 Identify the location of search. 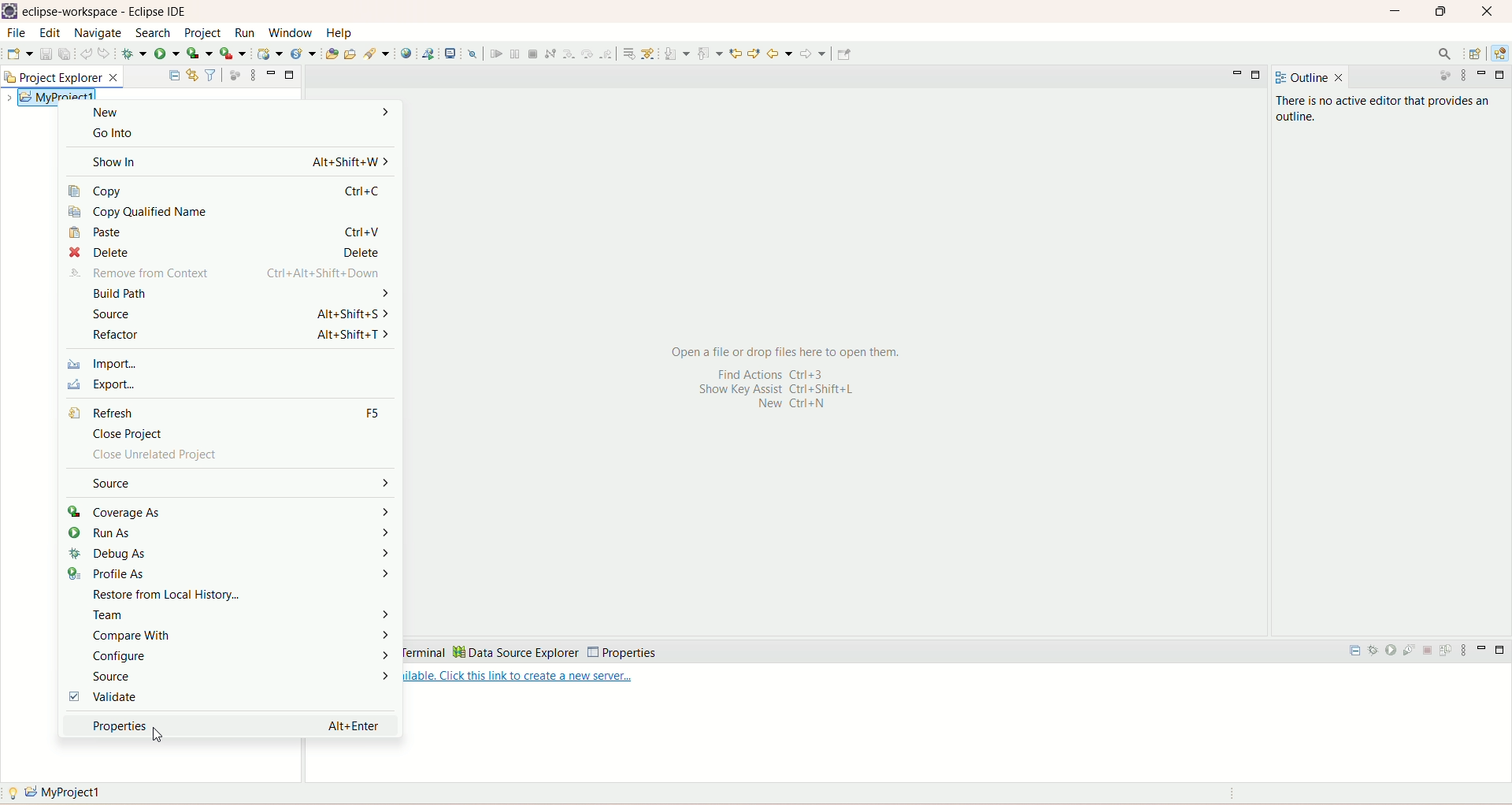
(1443, 53).